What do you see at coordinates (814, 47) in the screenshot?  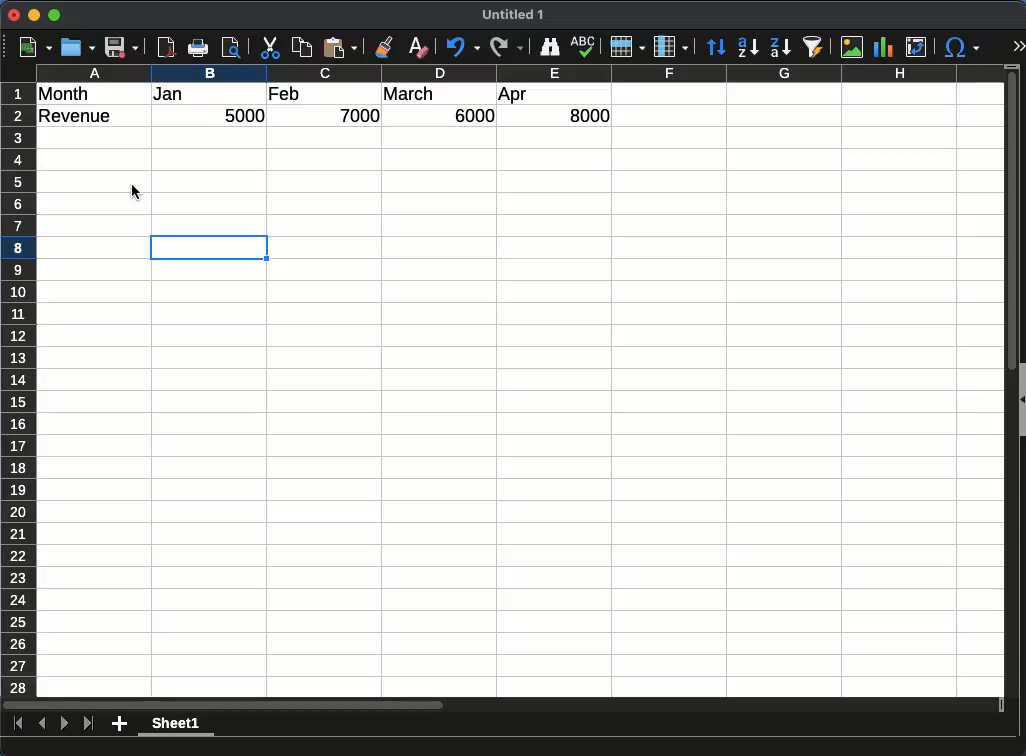 I see `autofilter` at bounding box center [814, 47].